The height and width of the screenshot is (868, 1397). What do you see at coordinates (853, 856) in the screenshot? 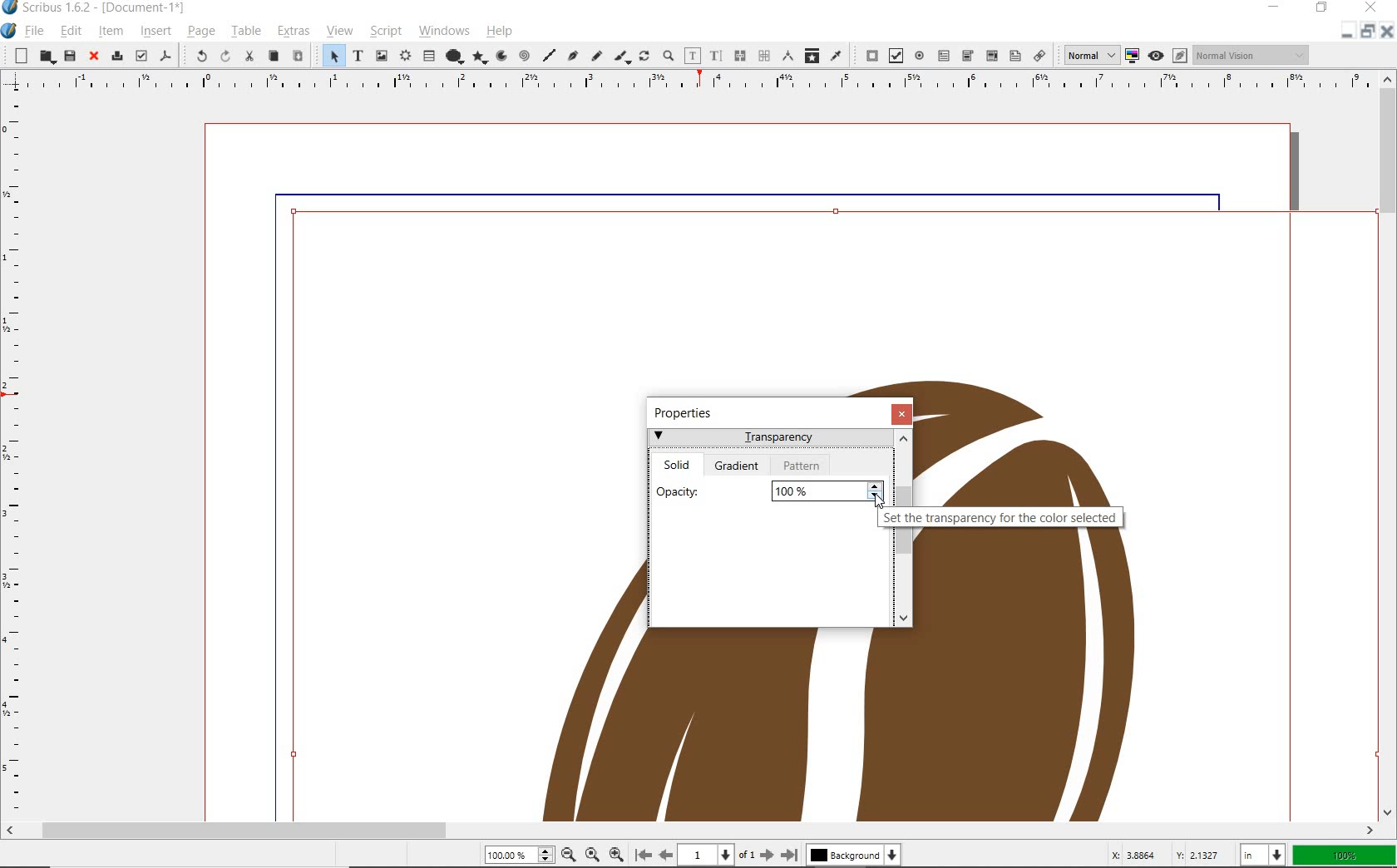
I see `Background` at bounding box center [853, 856].